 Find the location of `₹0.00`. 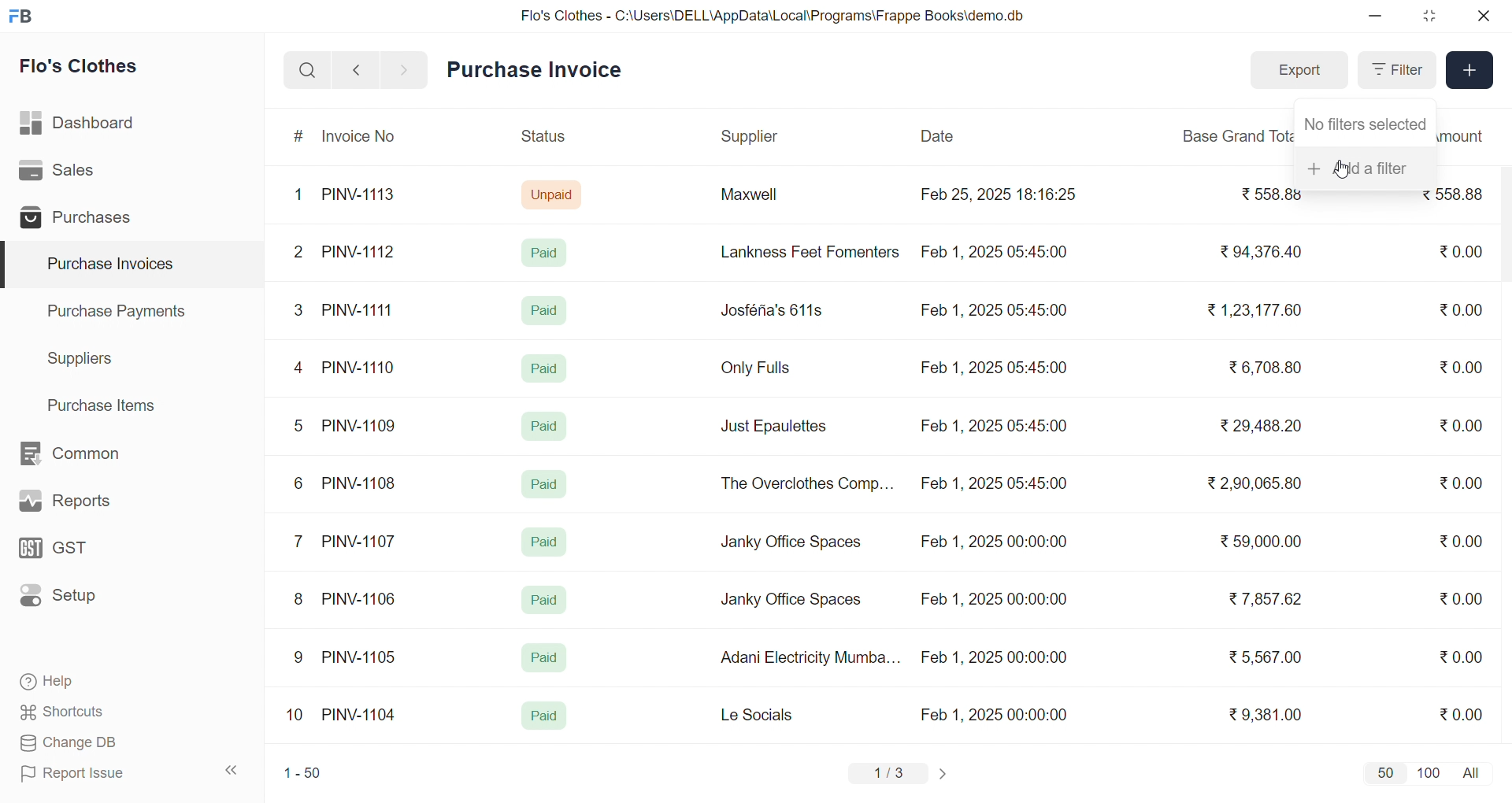

₹0.00 is located at coordinates (1461, 367).